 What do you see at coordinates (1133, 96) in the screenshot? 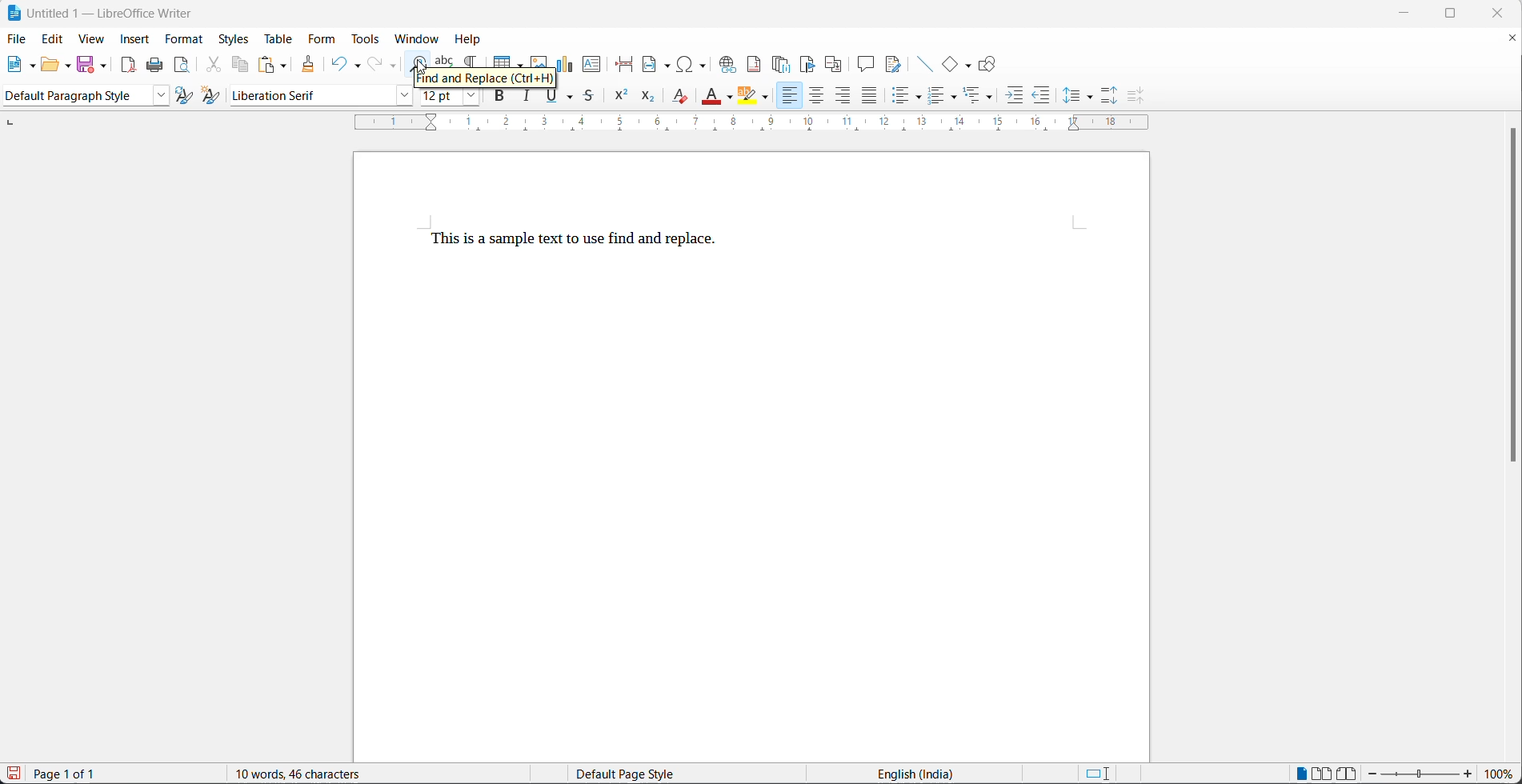
I see `decrease paragraph spacing` at bounding box center [1133, 96].